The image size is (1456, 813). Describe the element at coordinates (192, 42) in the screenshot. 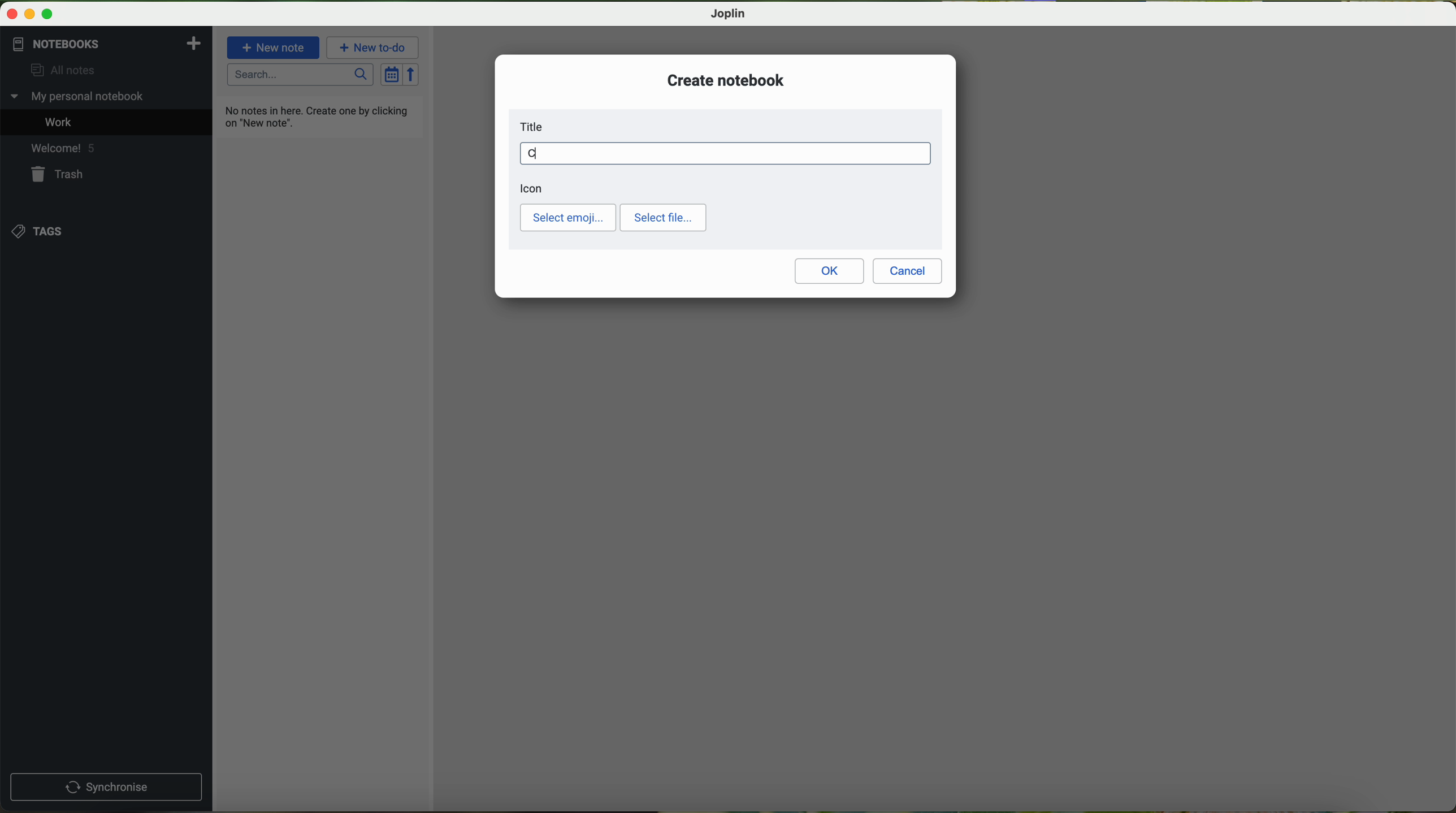

I see `add notebooks` at that location.